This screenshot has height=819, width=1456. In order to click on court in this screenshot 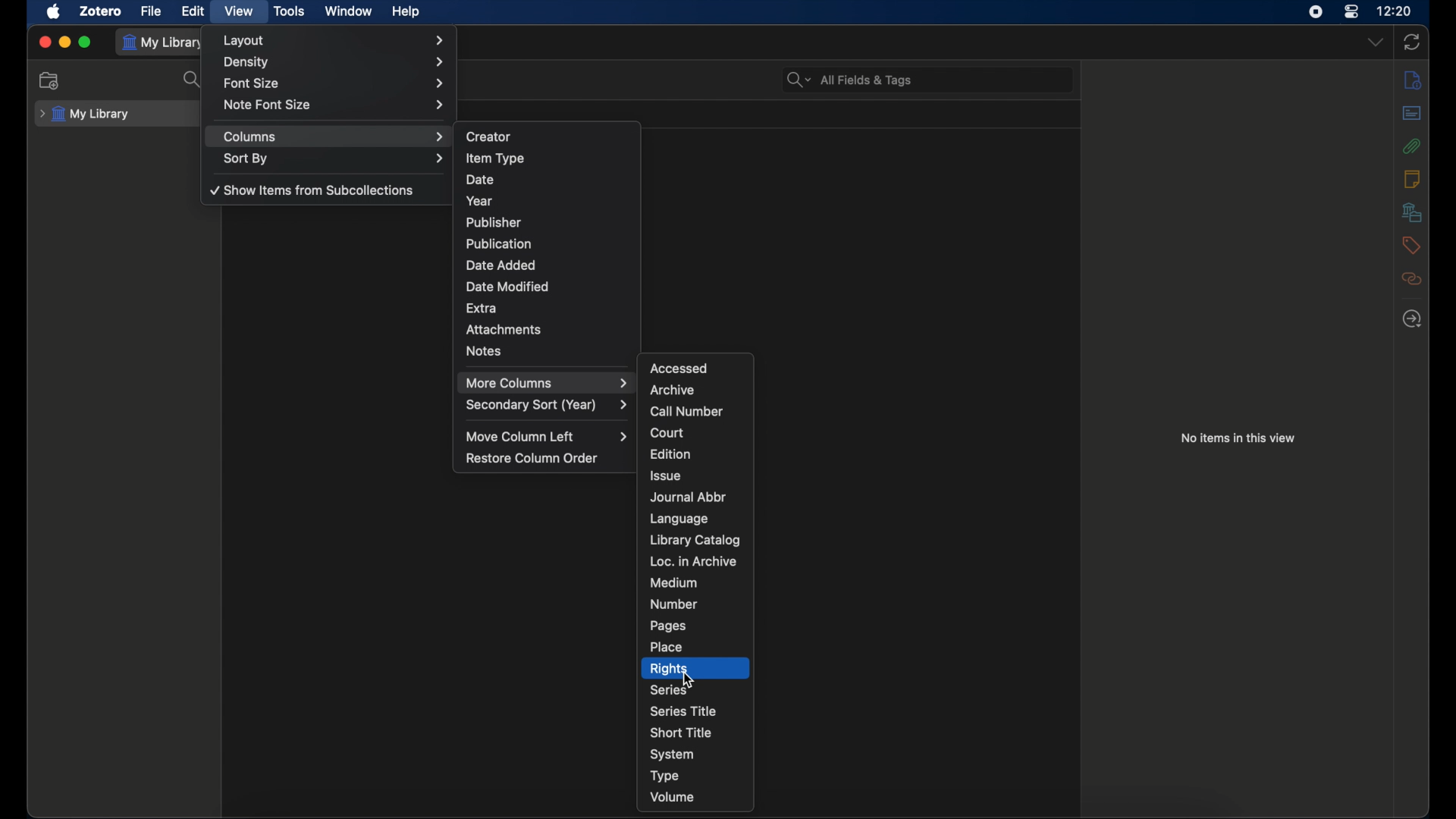, I will do `click(668, 433)`.